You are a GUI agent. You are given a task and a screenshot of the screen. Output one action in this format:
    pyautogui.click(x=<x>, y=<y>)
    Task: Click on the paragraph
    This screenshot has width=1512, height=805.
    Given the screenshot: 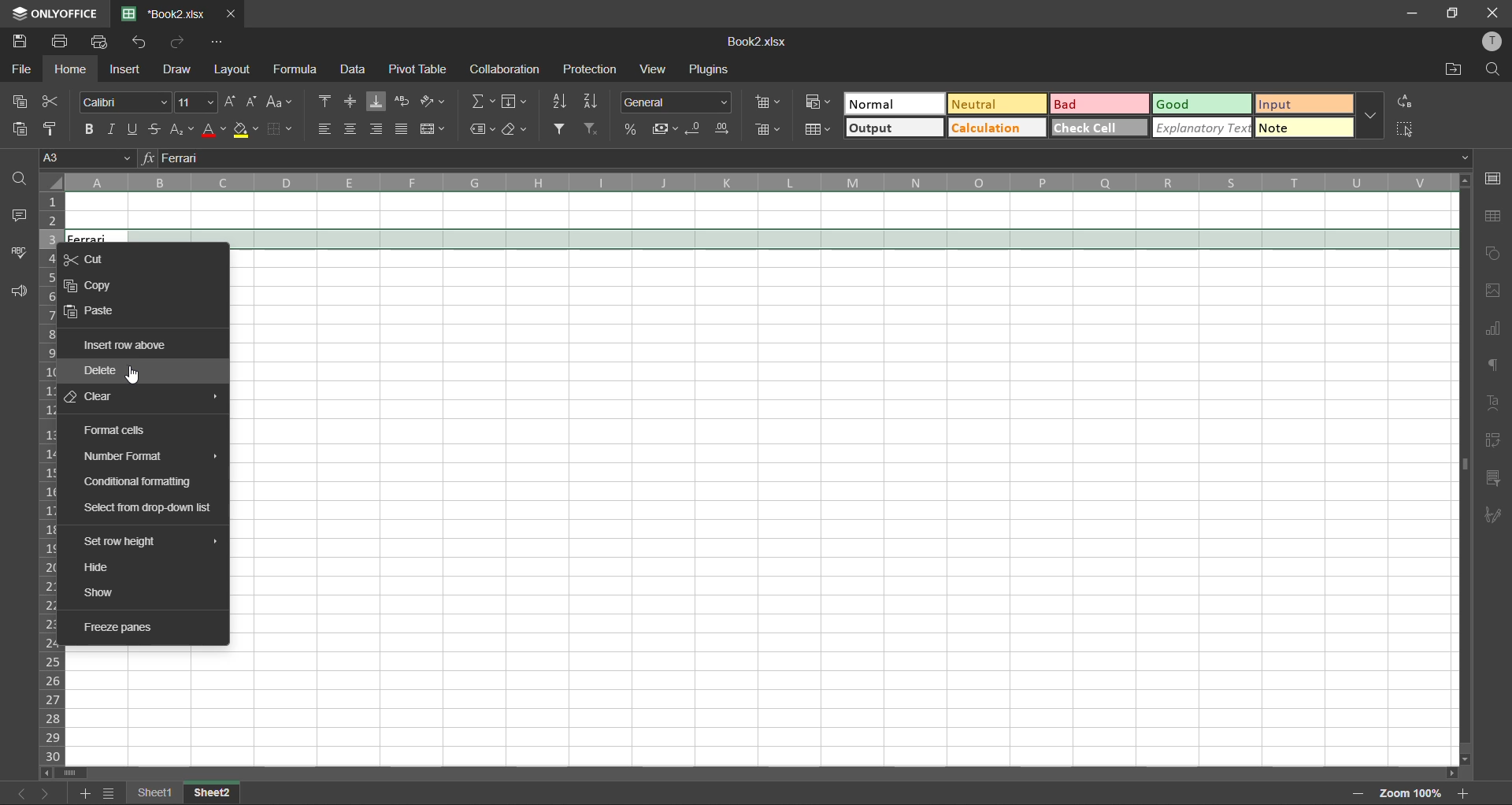 What is the action you would take?
    pyautogui.click(x=1497, y=367)
    